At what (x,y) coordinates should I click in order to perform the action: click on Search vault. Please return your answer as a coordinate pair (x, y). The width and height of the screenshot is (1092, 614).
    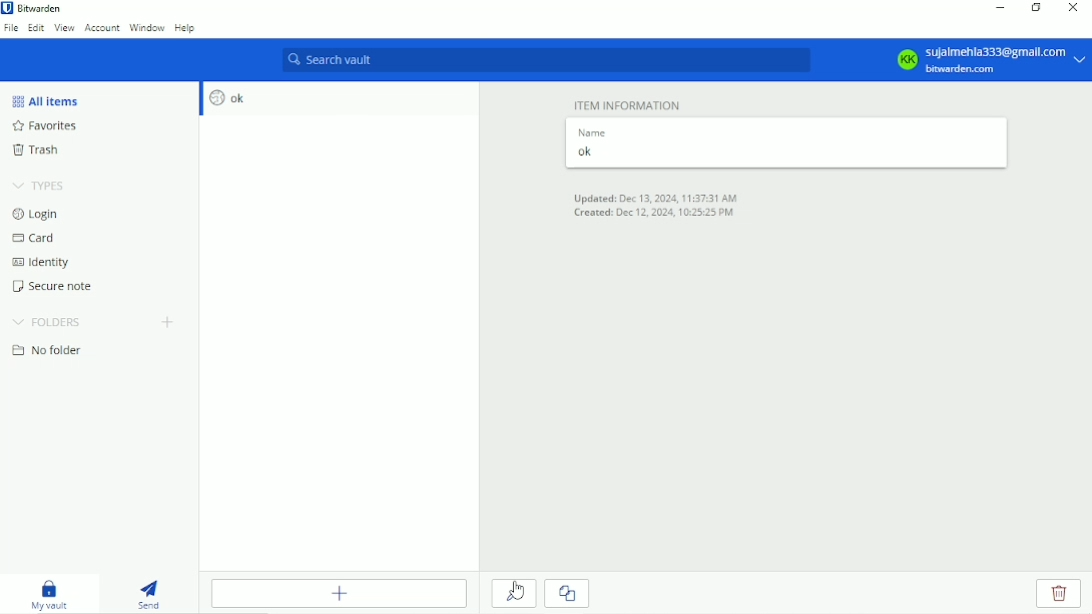
    Looking at the image, I should click on (543, 61).